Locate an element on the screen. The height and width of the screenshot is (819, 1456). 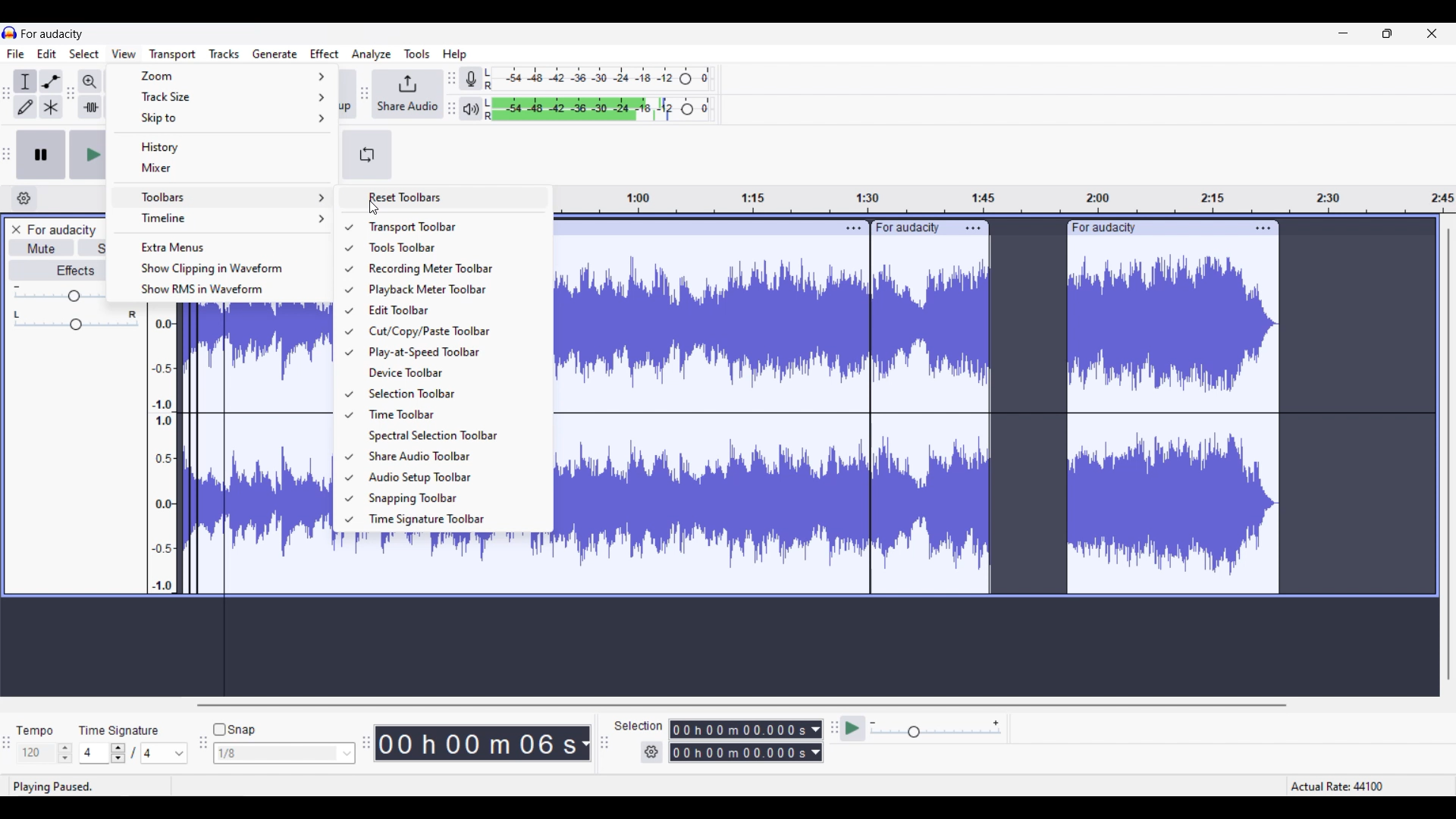
track options is located at coordinates (974, 227).